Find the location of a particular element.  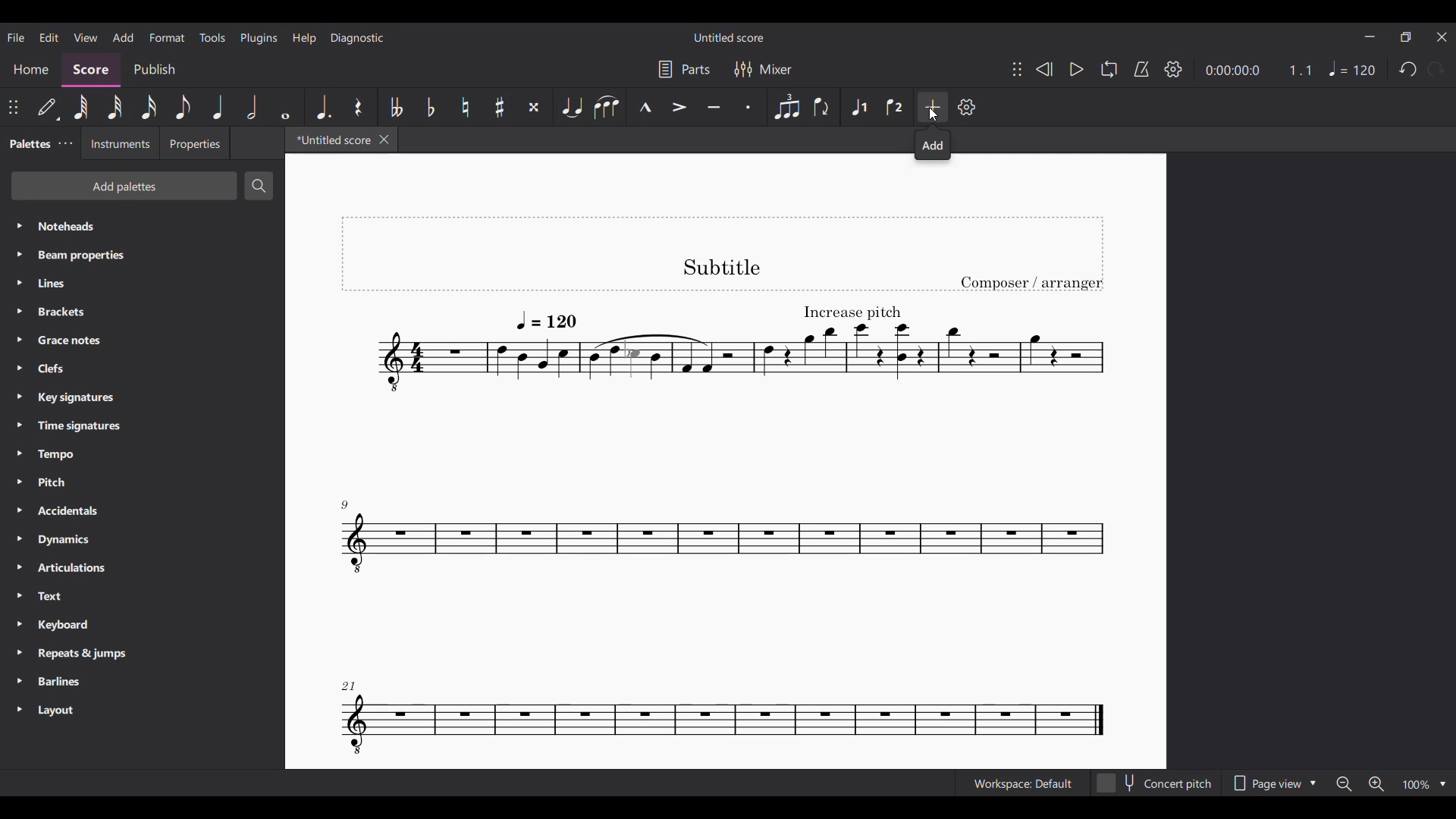

Current duration is located at coordinates (1232, 71).